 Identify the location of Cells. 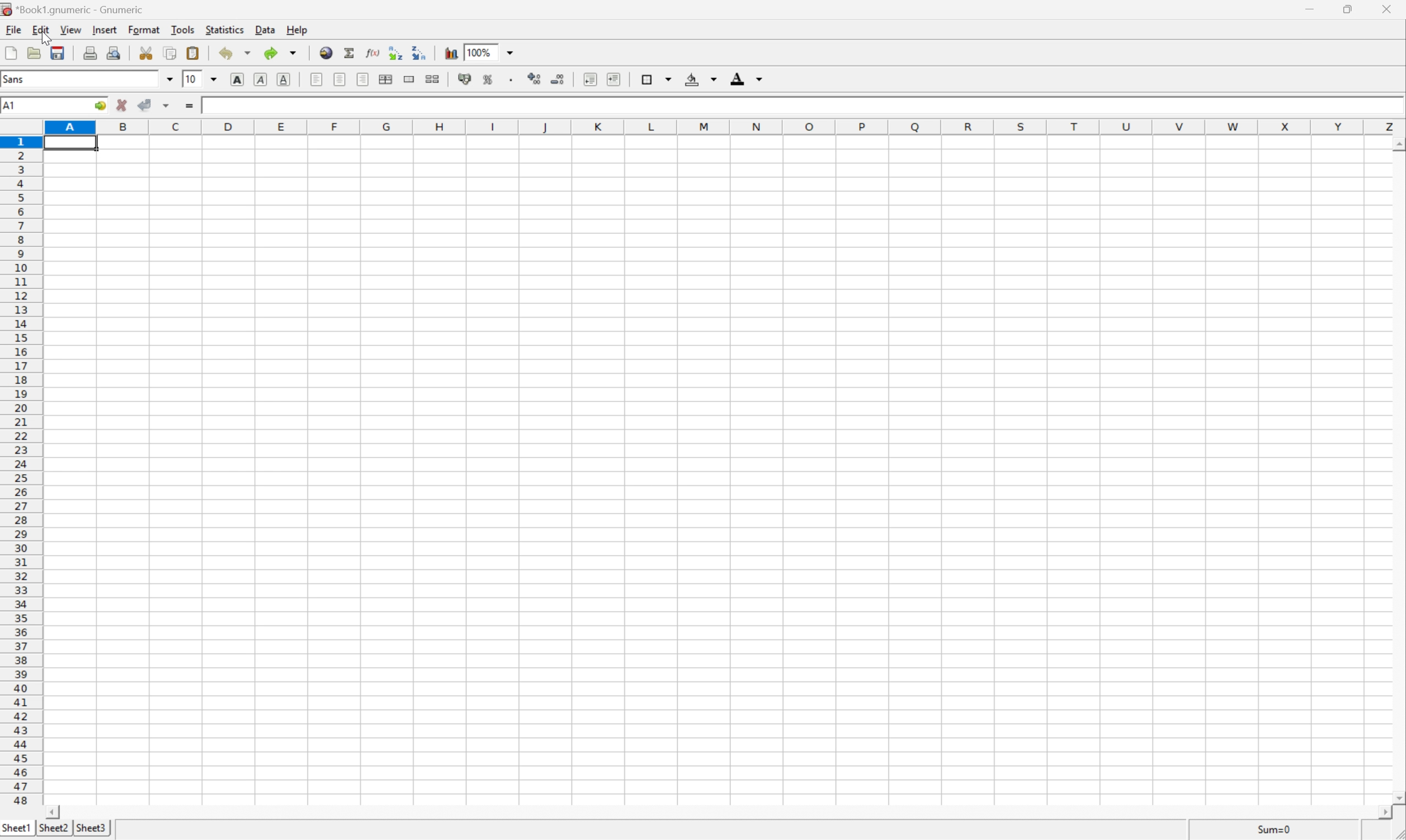
(723, 478).